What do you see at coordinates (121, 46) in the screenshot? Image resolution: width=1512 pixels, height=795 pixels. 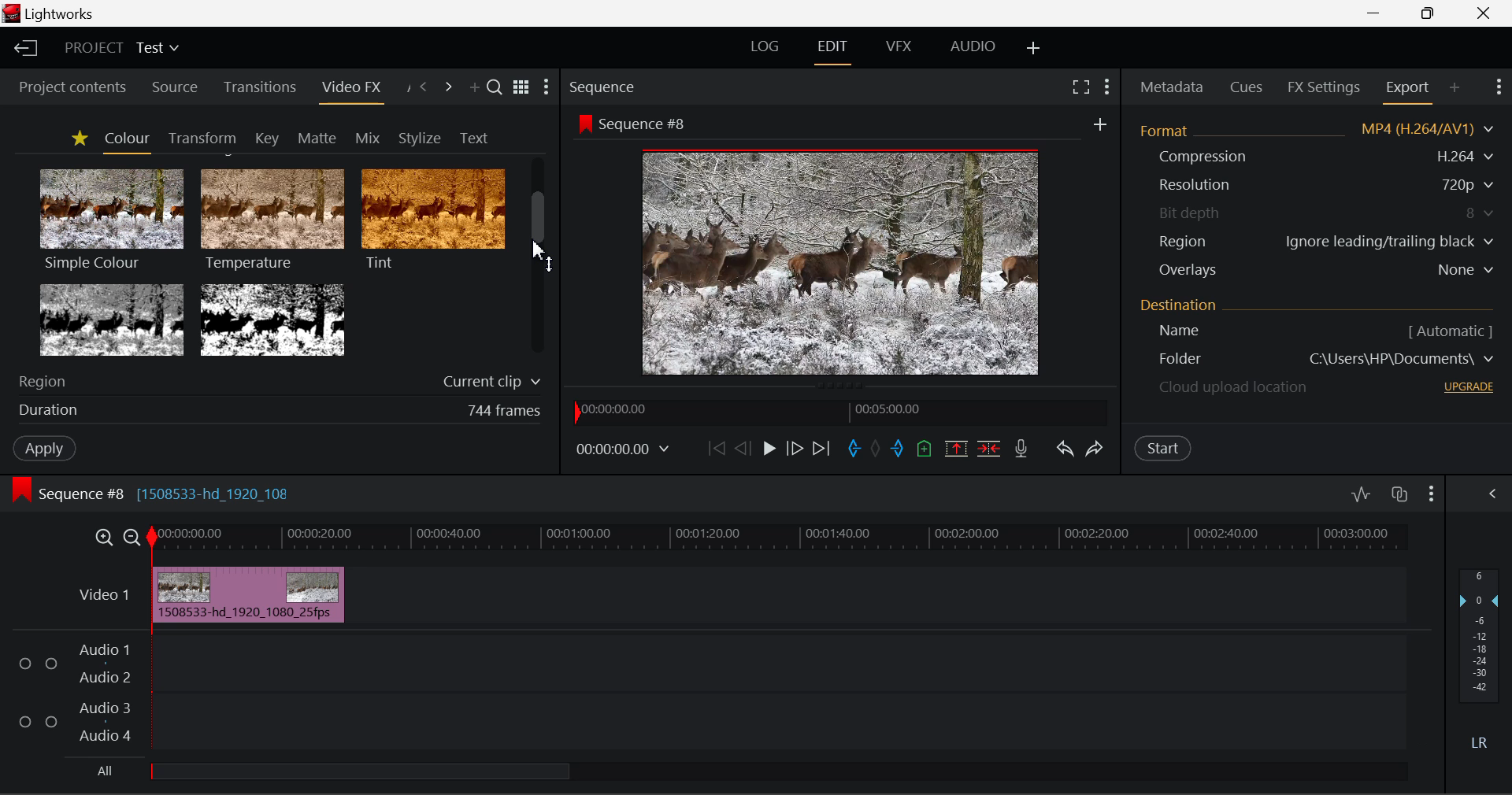 I see `Project Title` at bounding box center [121, 46].